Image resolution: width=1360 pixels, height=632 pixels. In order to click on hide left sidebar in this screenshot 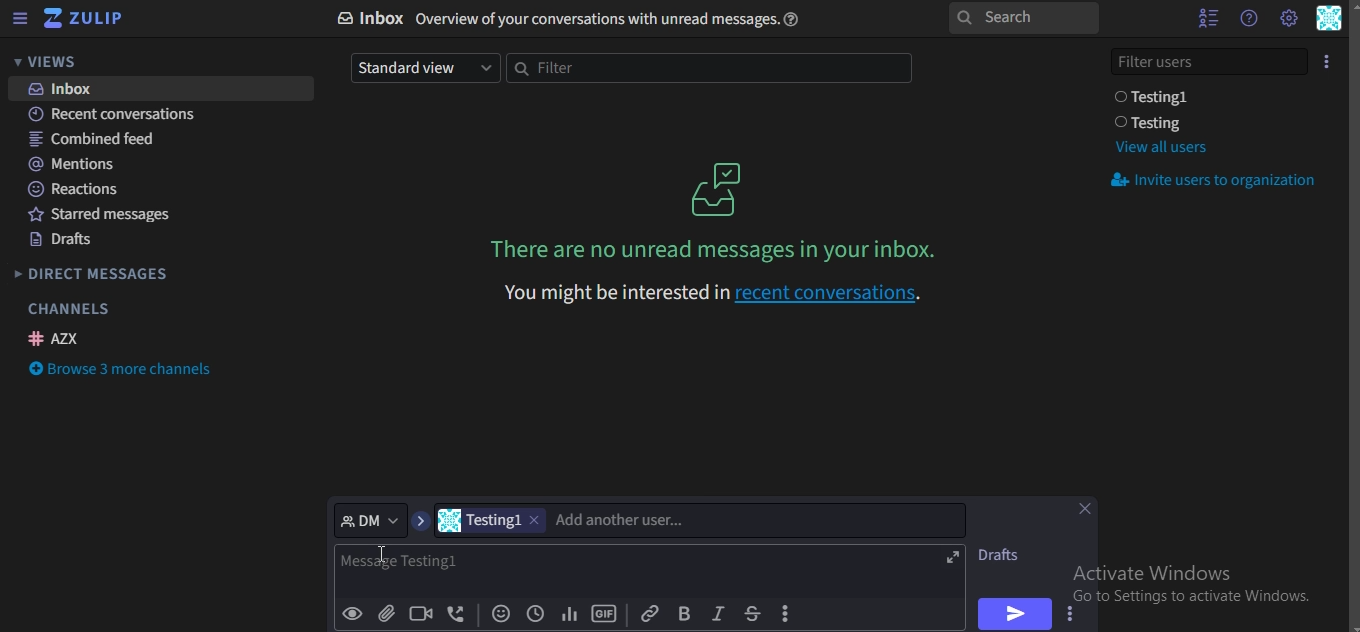, I will do `click(20, 20)`.